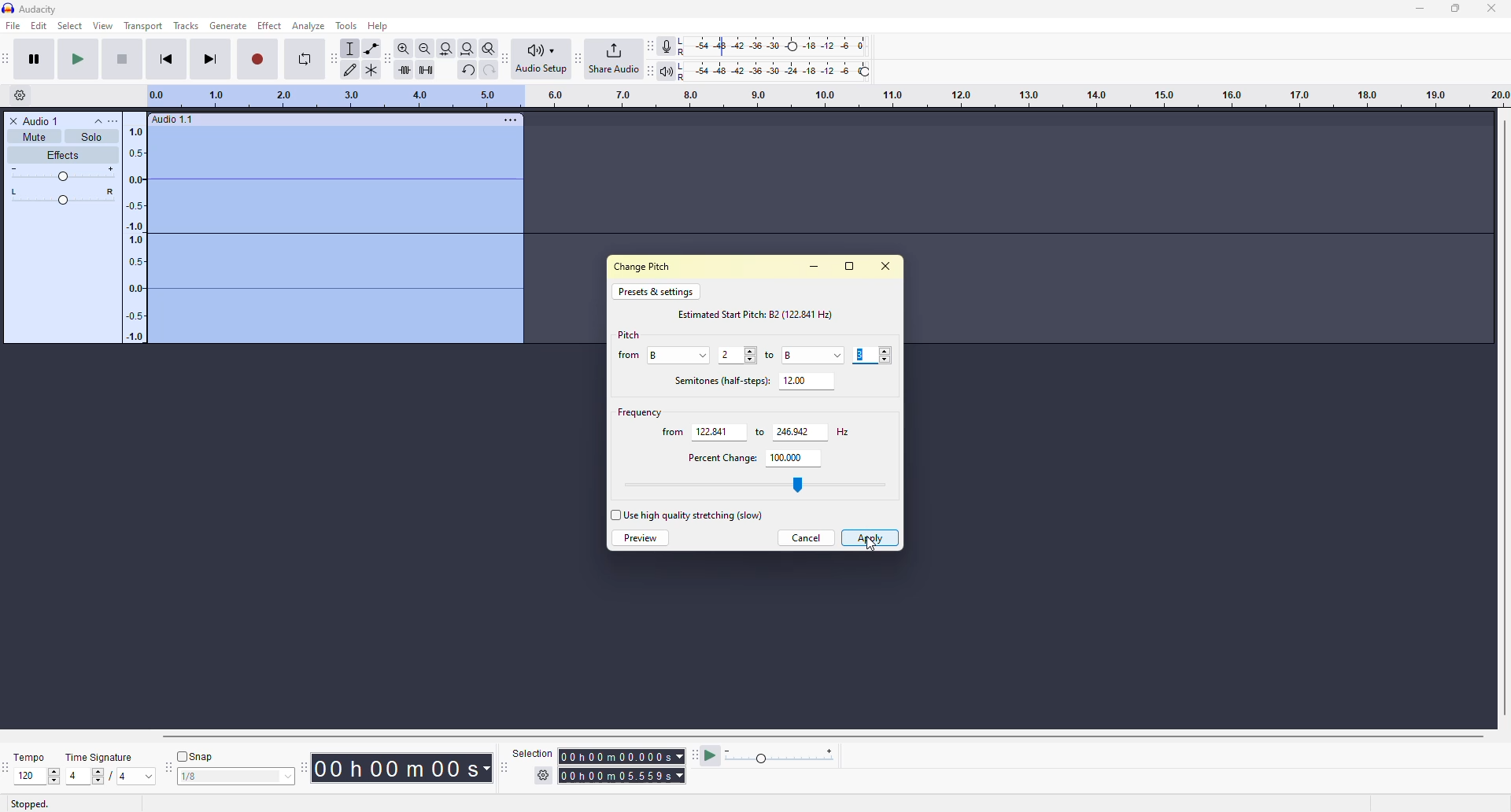 The image size is (1511, 812). Describe the element at coordinates (227, 25) in the screenshot. I see `gennerate` at that location.